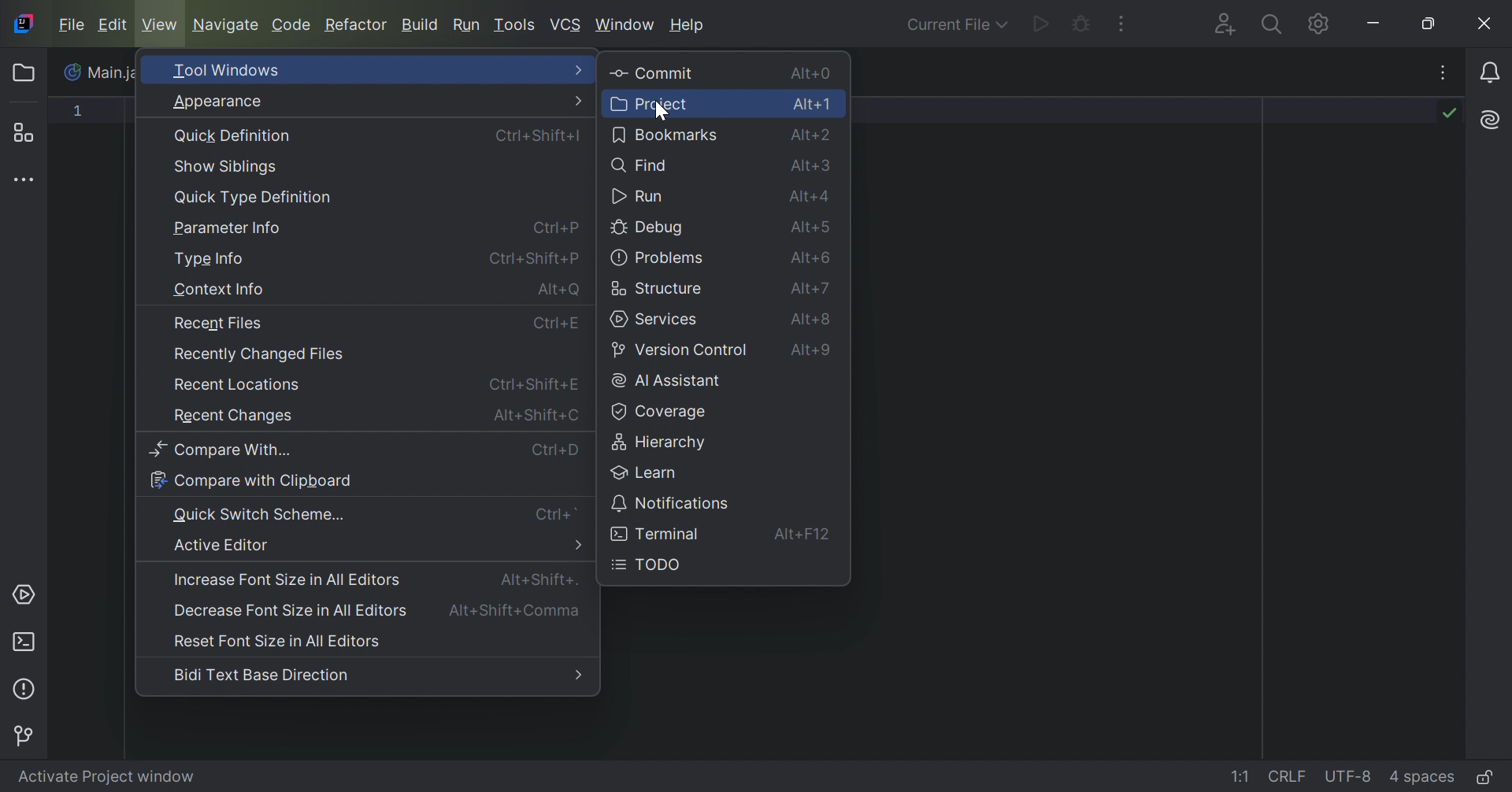 Image resolution: width=1512 pixels, height=792 pixels. What do you see at coordinates (532, 257) in the screenshot?
I see `Crl+Shift+P` at bounding box center [532, 257].